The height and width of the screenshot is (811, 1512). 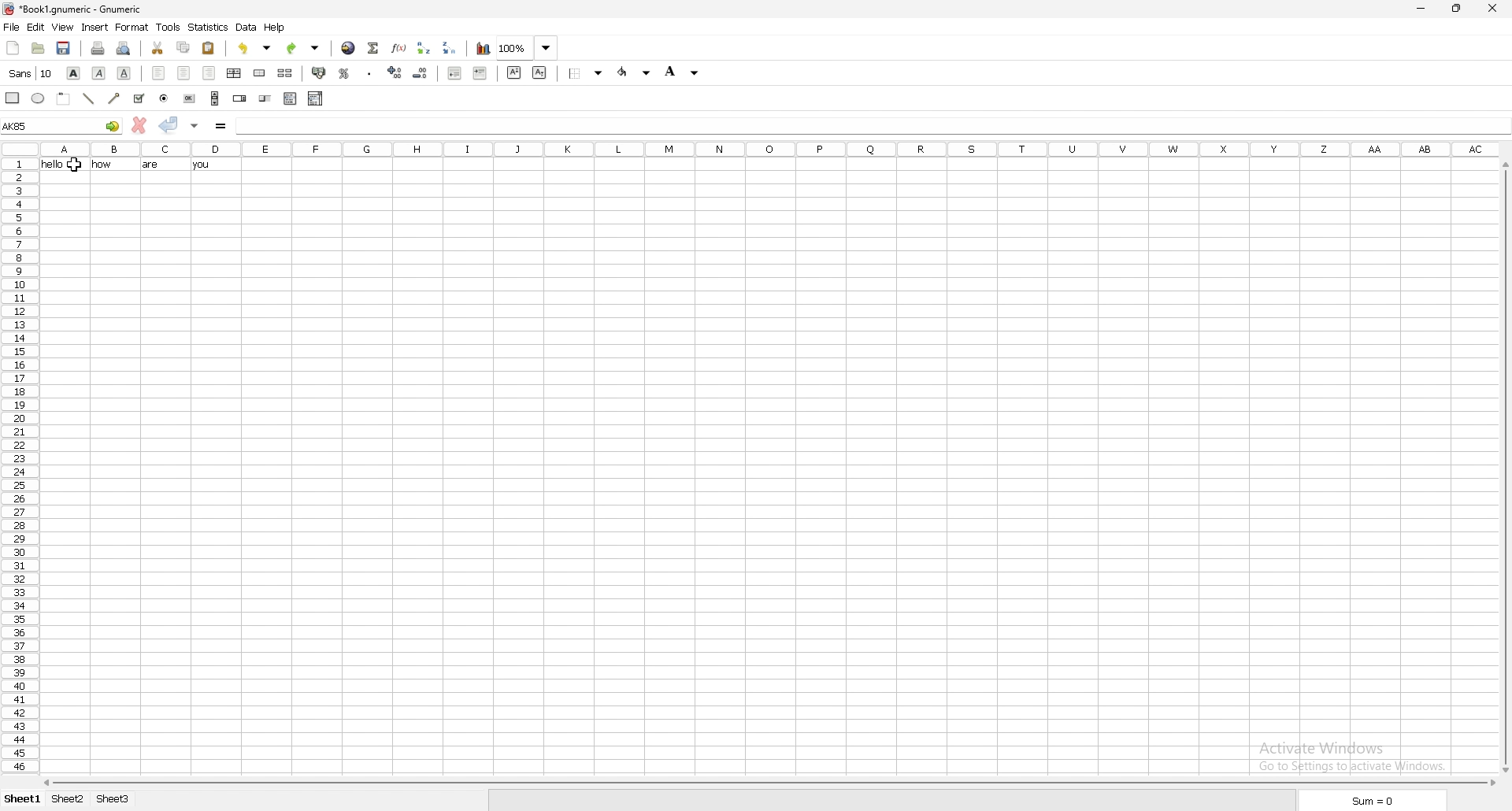 I want to click on right align, so click(x=209, y=73).